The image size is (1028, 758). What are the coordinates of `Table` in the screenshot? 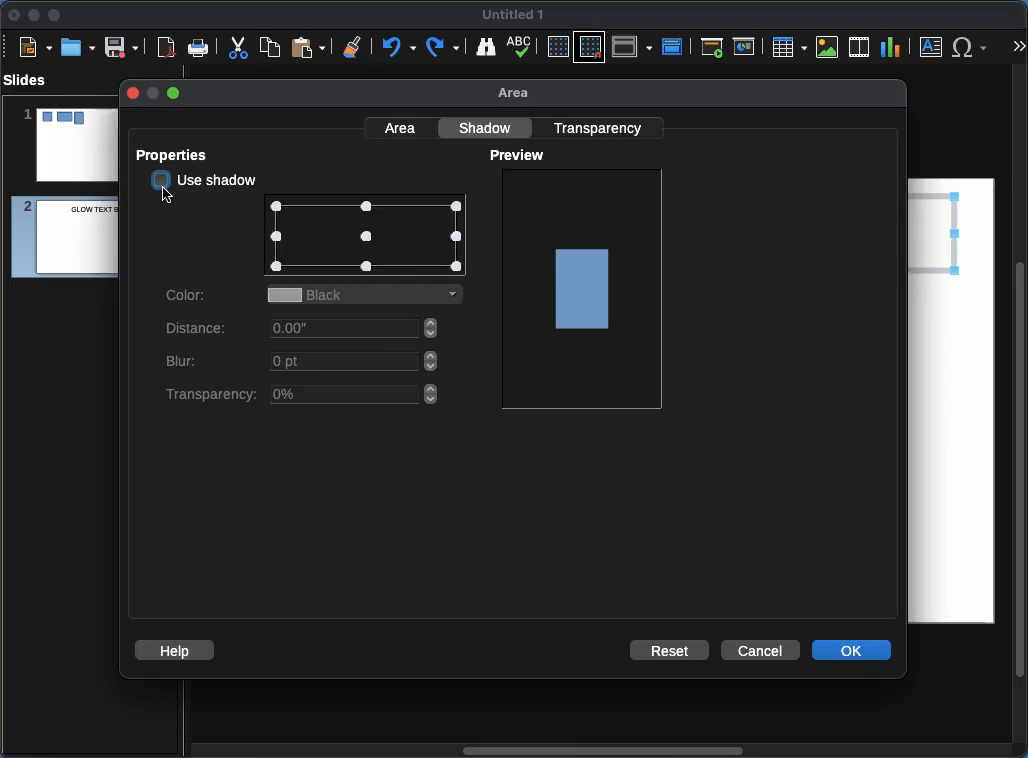 It's located at (788, 46).